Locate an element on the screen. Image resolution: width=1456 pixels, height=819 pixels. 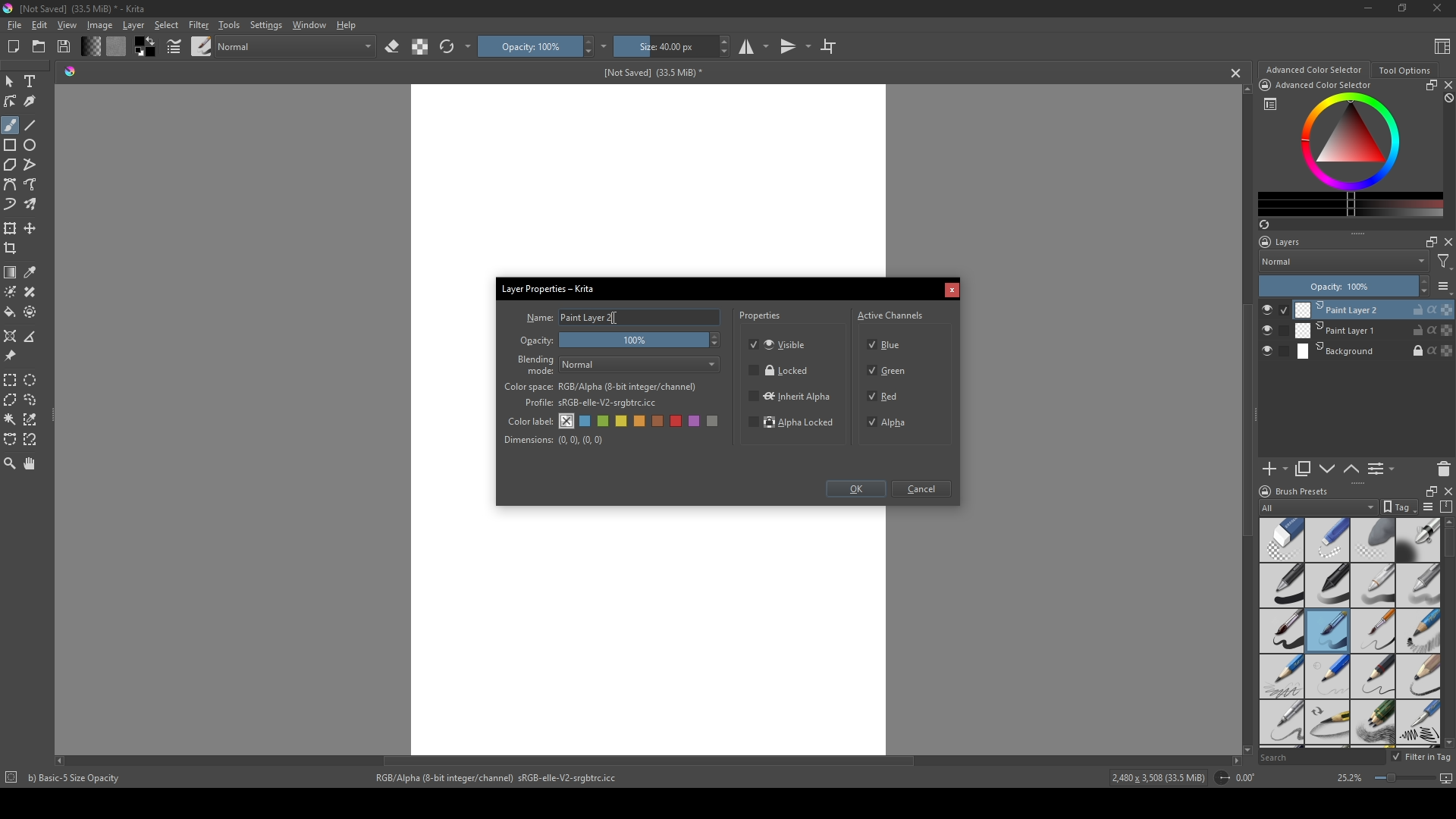
normal is located at coordinates (295, 45).